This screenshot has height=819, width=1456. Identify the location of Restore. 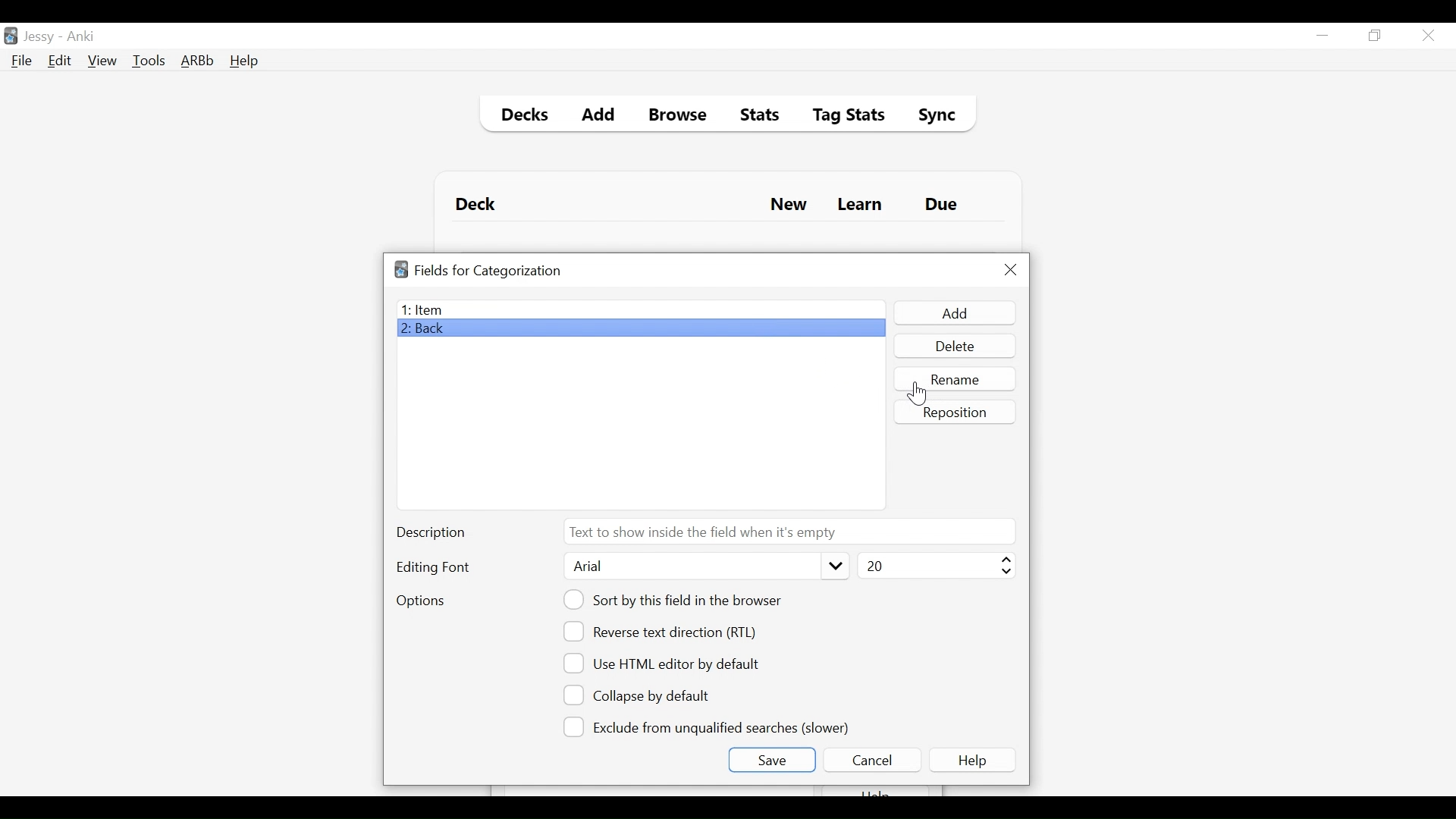
(1376, 36).